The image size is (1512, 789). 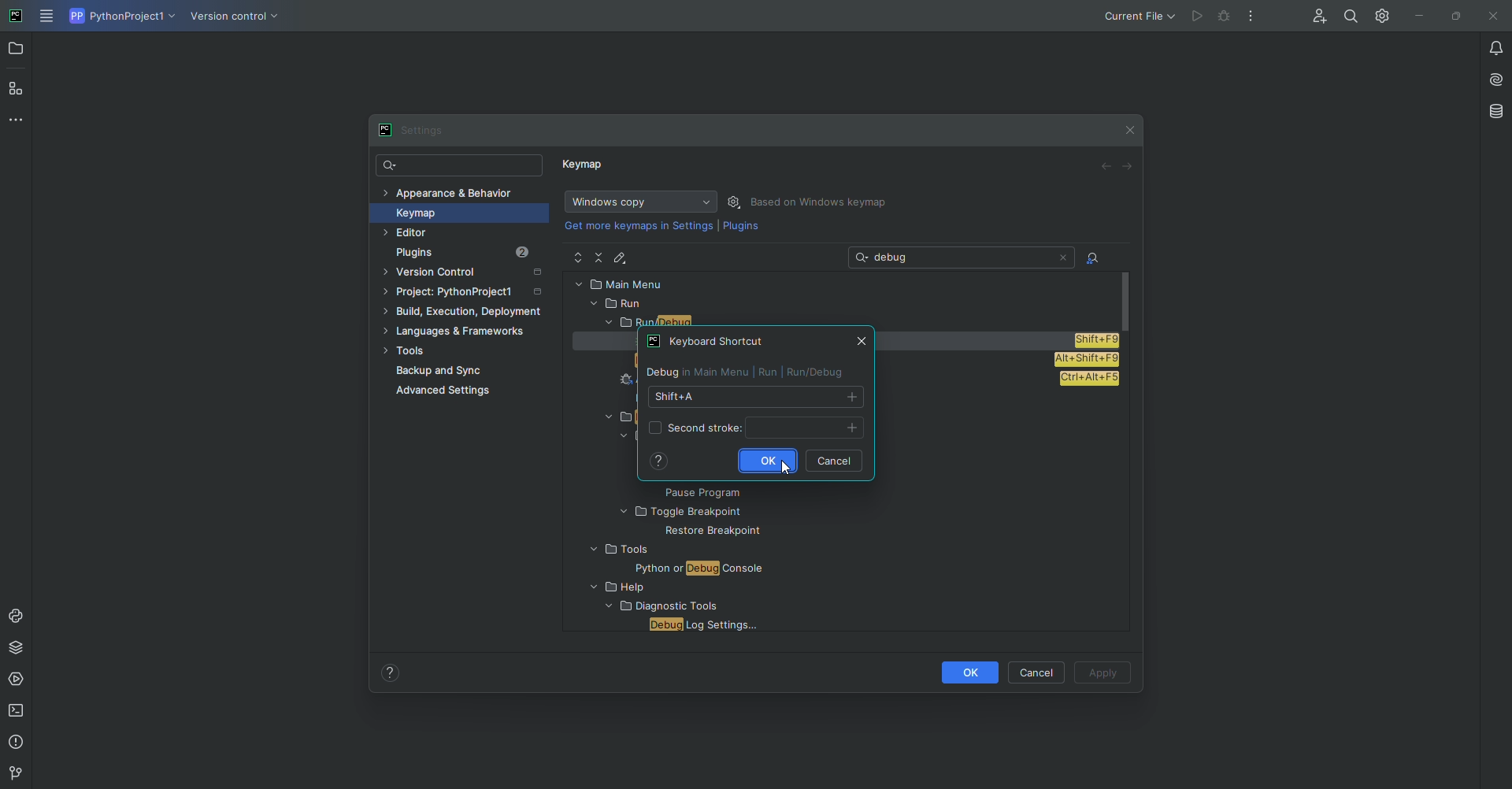 I want to click on Keymap, so click(x=585, y=168).